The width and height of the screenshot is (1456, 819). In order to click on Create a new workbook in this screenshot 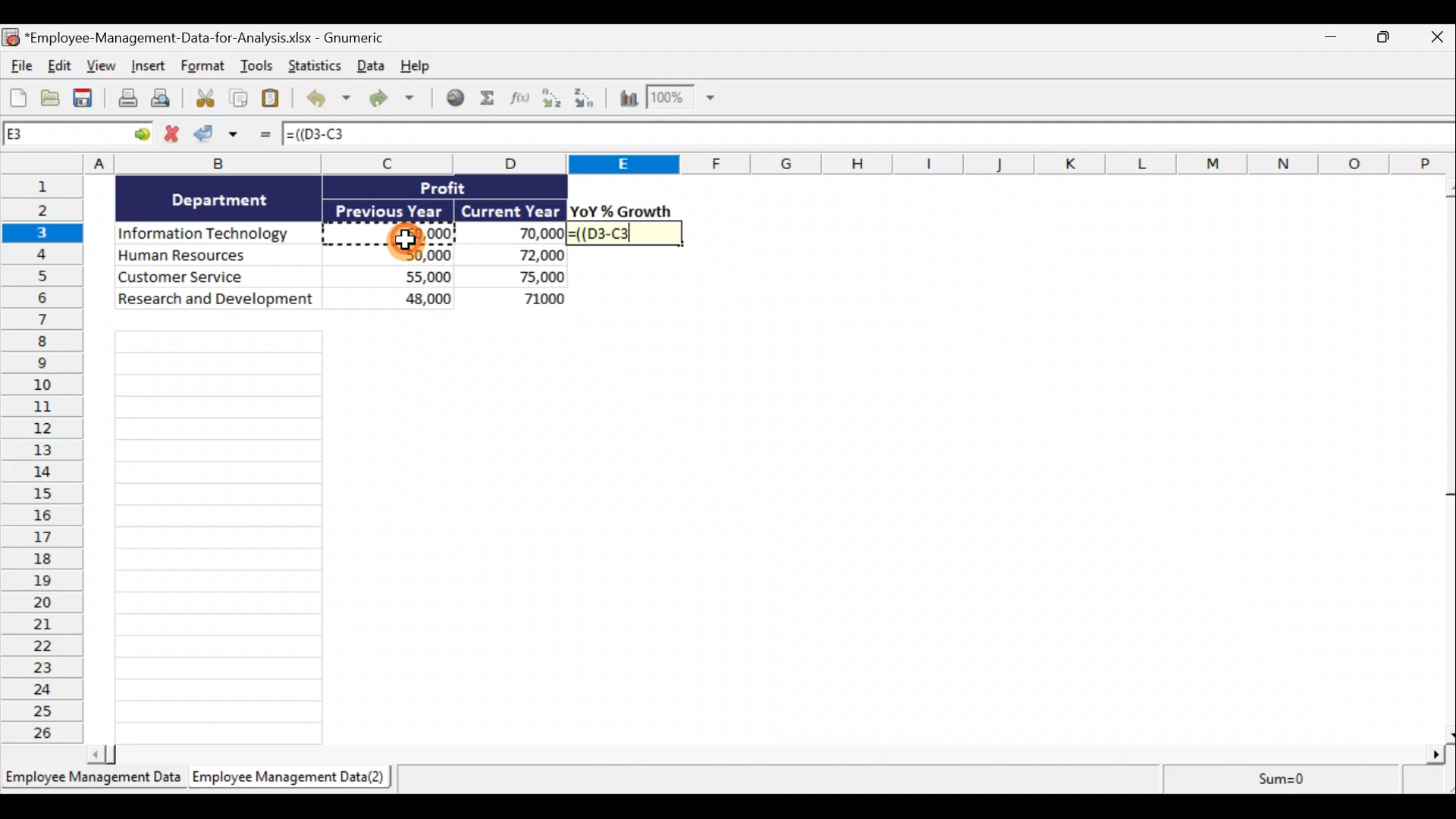, I will do `click(18, 96)`.